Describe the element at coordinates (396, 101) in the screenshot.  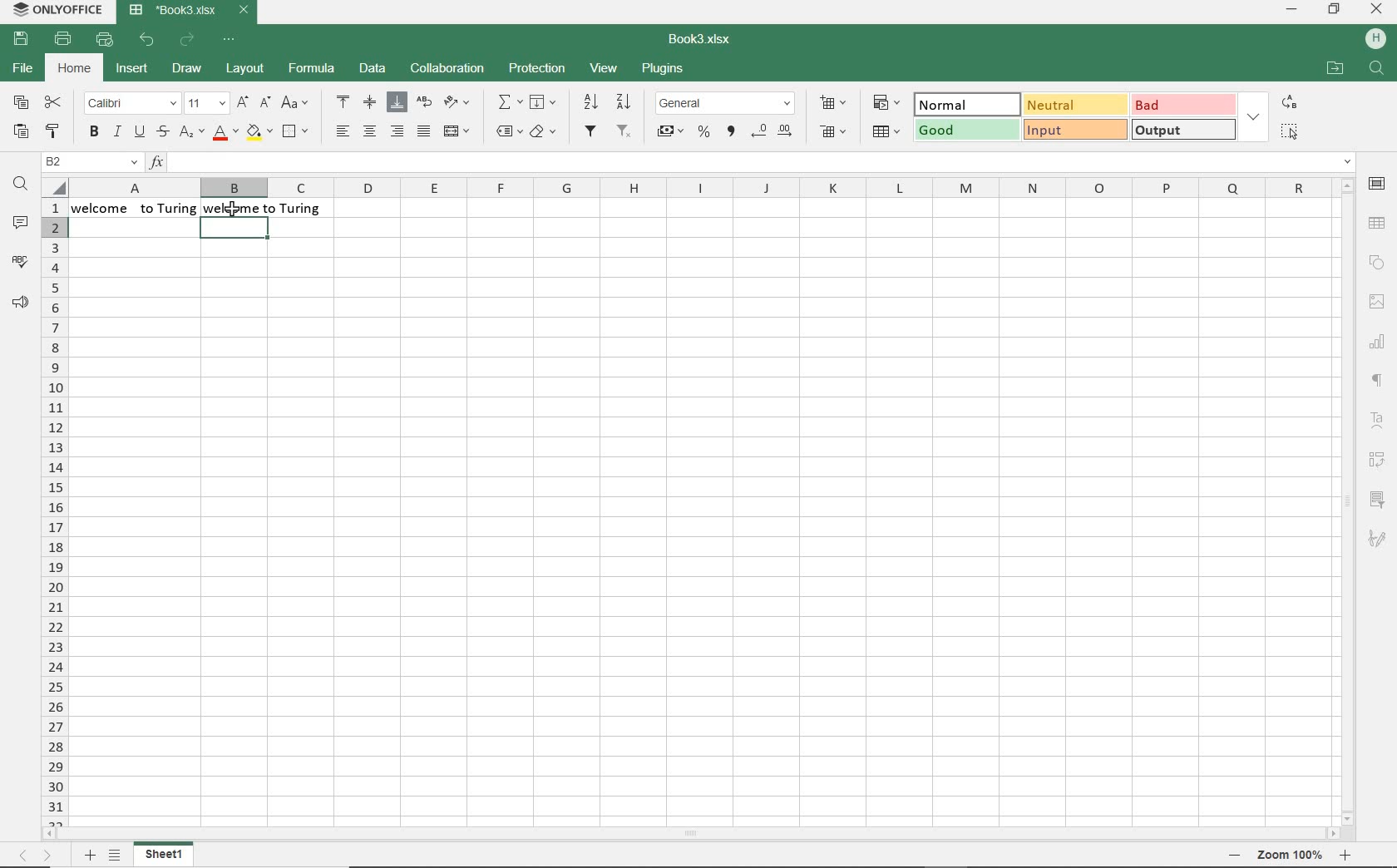
I see `align bottom` at that location.